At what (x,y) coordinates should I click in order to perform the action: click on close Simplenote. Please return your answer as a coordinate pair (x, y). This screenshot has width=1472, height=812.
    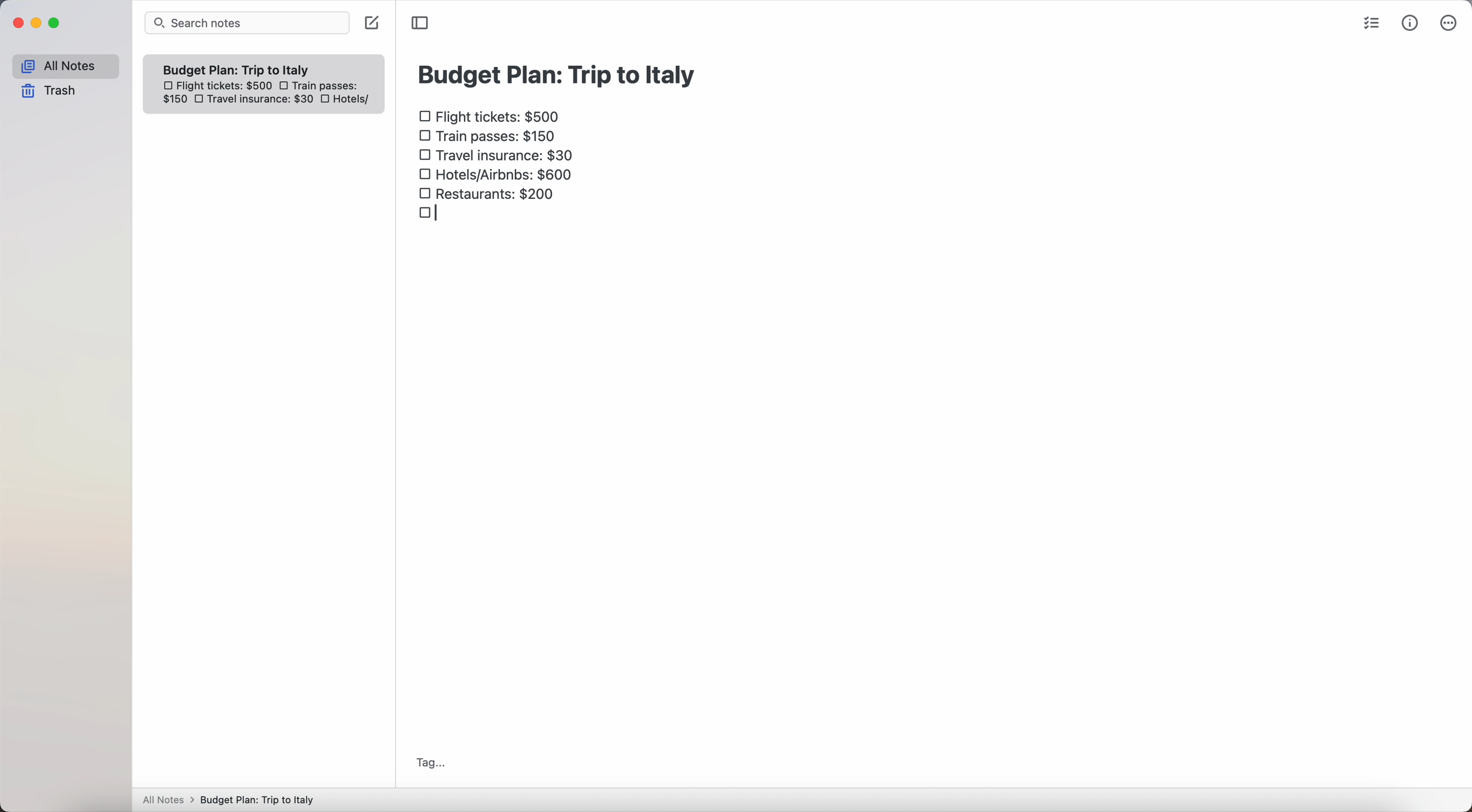
    Looking at the image, I should click on (18, 23).